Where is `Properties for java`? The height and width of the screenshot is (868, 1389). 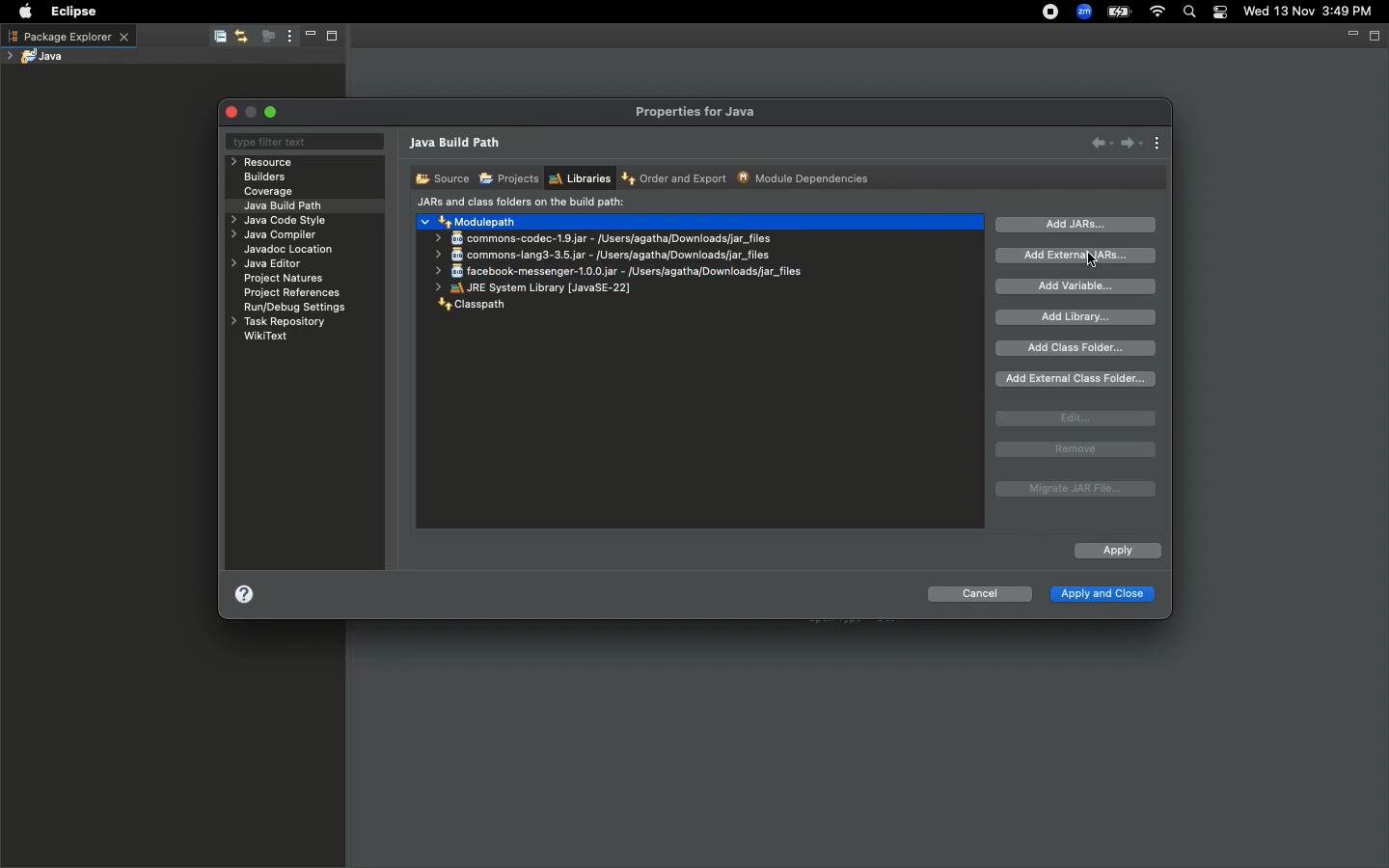
Properties for java is located at coordinates (697, 112).